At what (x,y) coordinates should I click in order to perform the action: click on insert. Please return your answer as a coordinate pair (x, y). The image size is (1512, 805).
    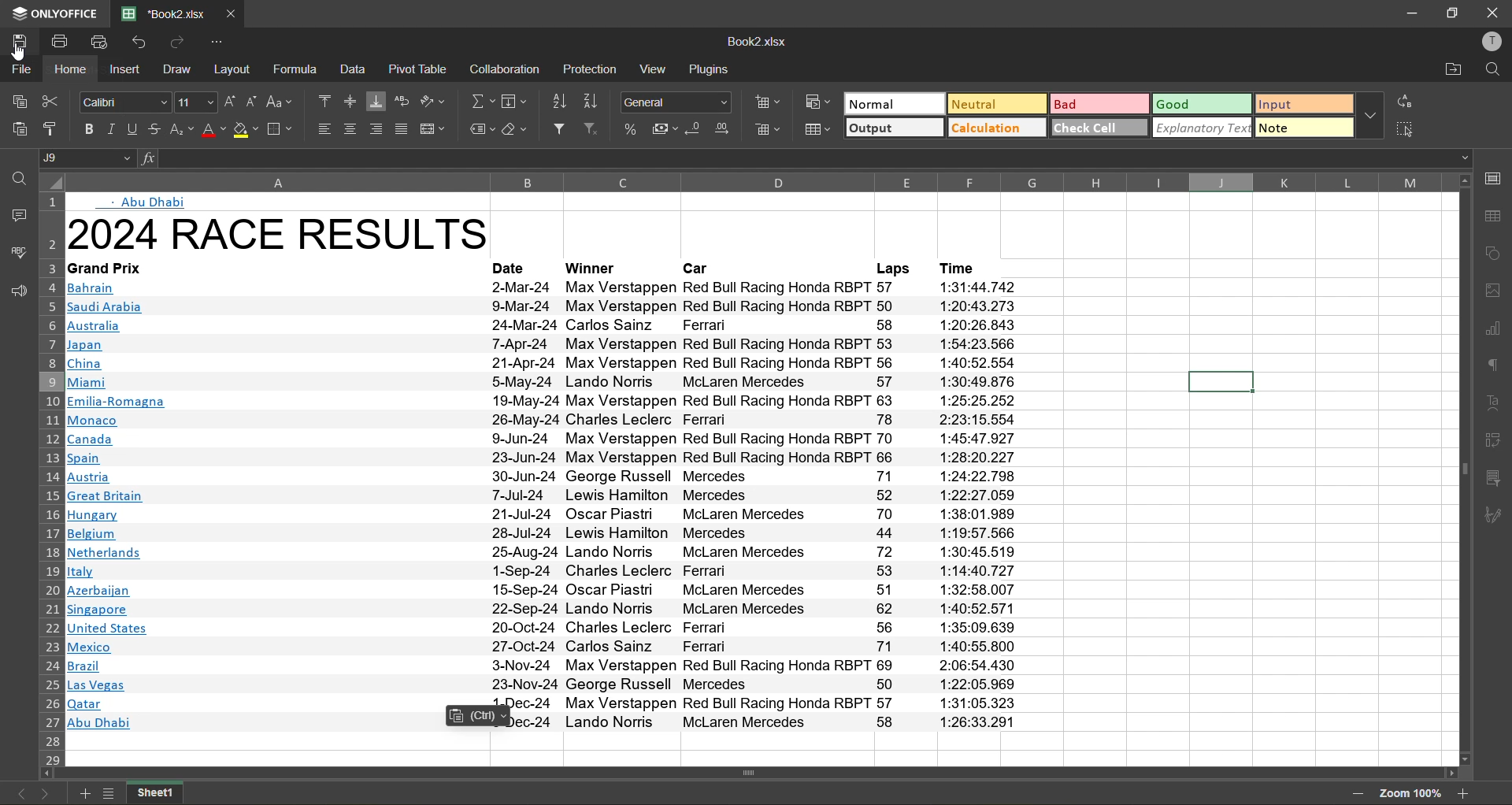
    Looking at the image, I should click on (128, 69).